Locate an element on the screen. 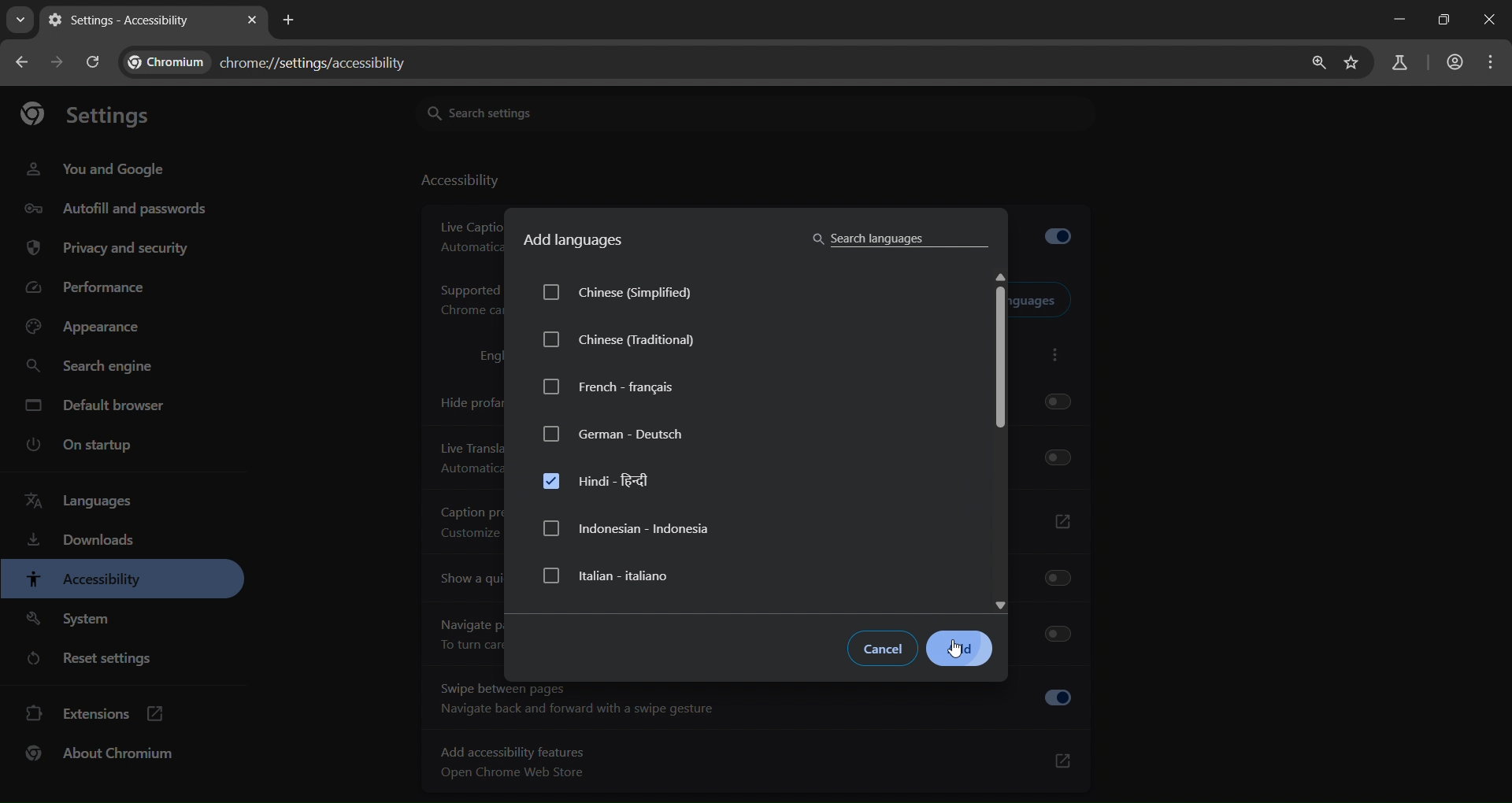  accessibility is located at coordinates (459, 183).